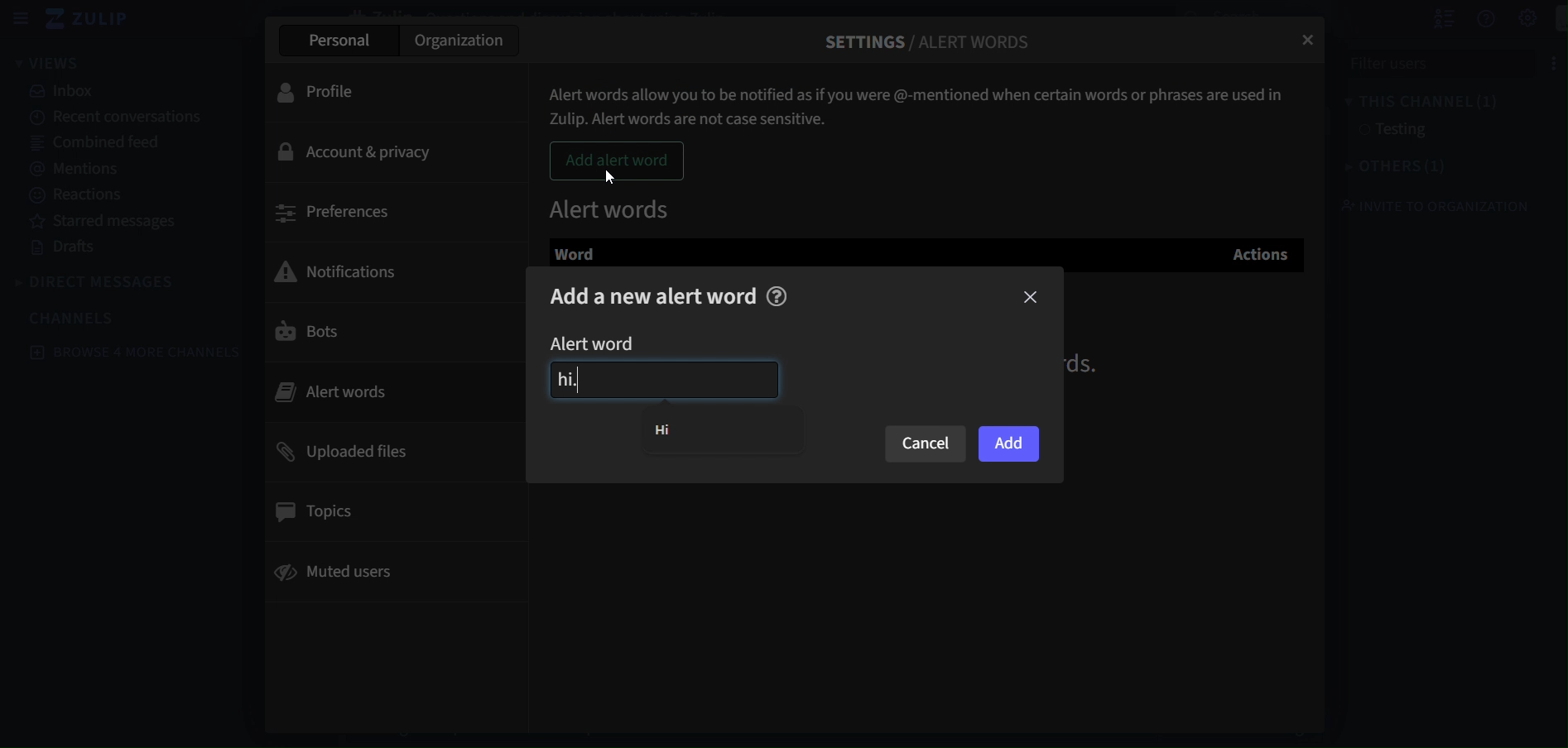  I want to click on alert word, so click(606, 343).